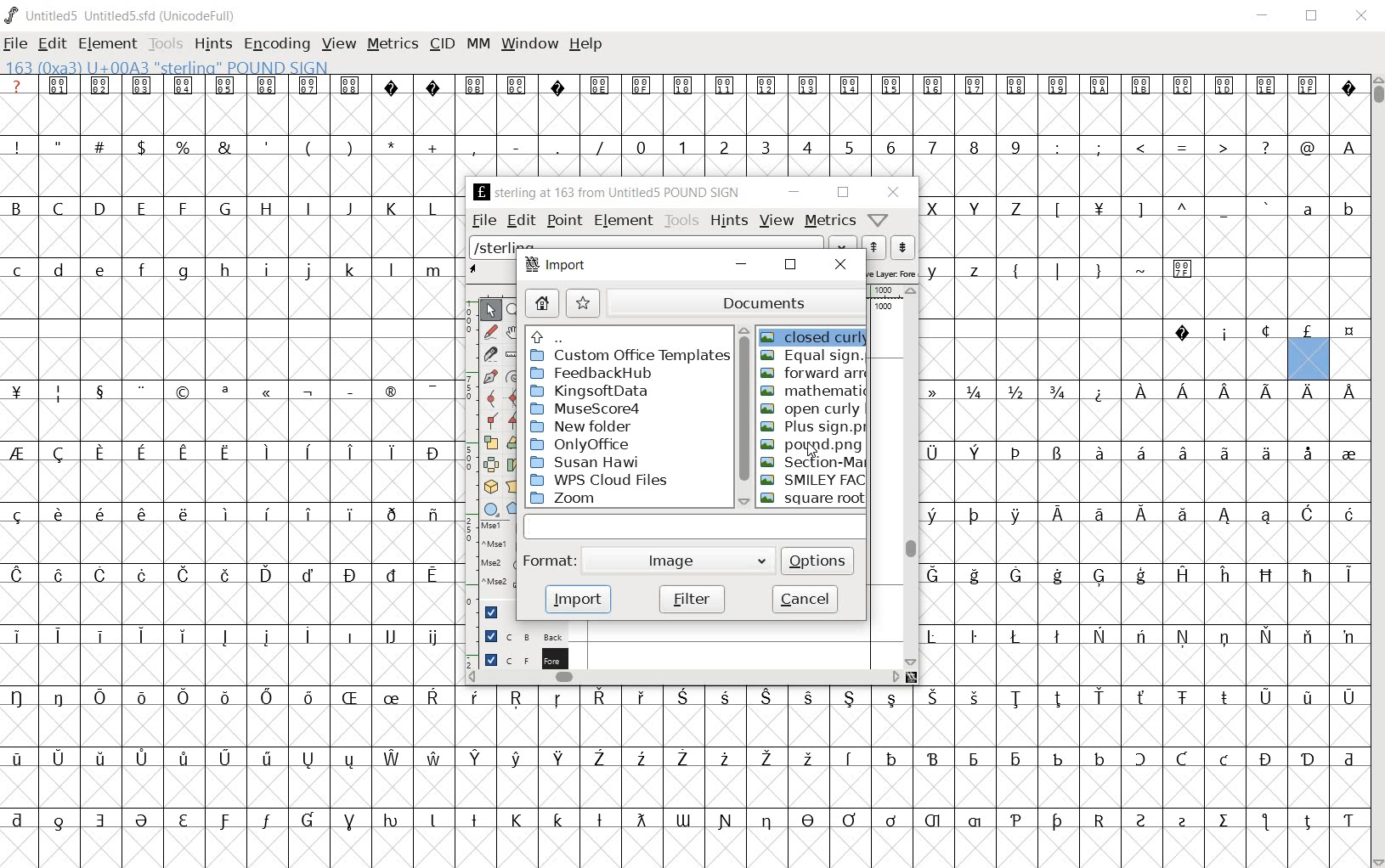 The image size is (1385, 868). What do you see at coordinates (975, 636) in the screenshot?
I see `Symbol` at bounding box center [975, 636].